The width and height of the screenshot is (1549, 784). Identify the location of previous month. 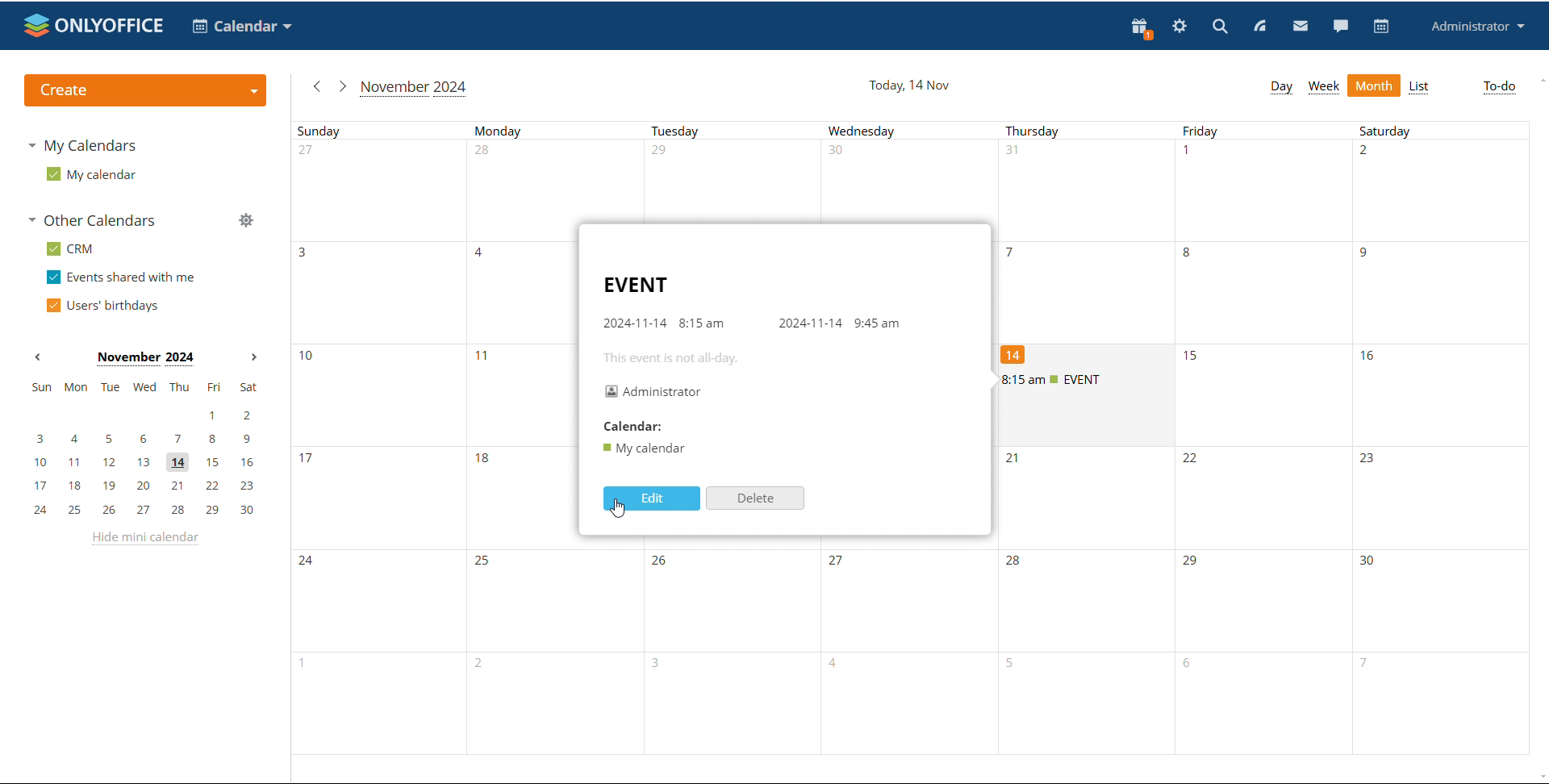
(315, 87).